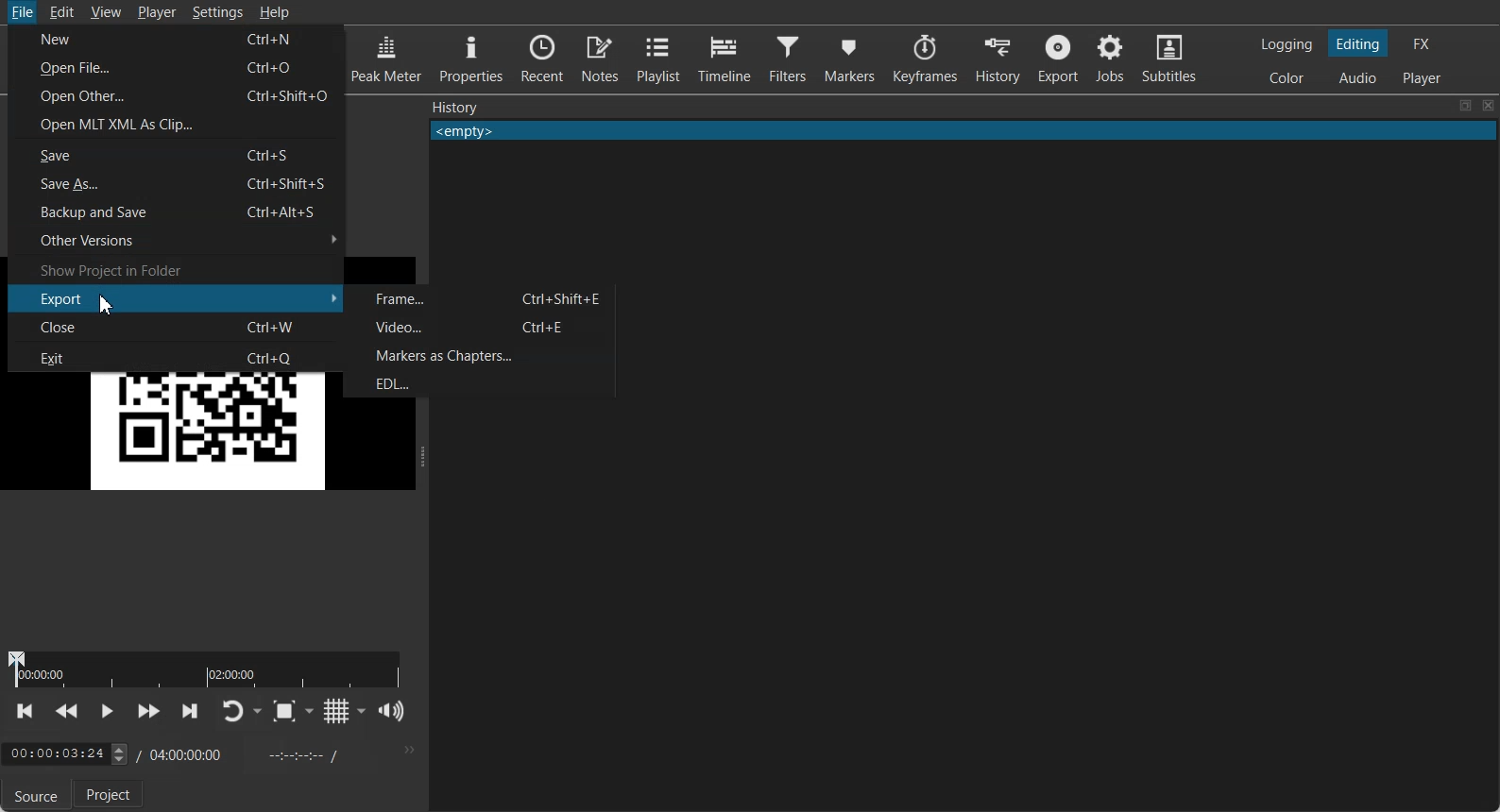 This screenshot has width=1500, height=812. What do you see at coordinates (231, 710) in the screenshot?
I see `Toggle player lopping` at bounding box center [231, 710].